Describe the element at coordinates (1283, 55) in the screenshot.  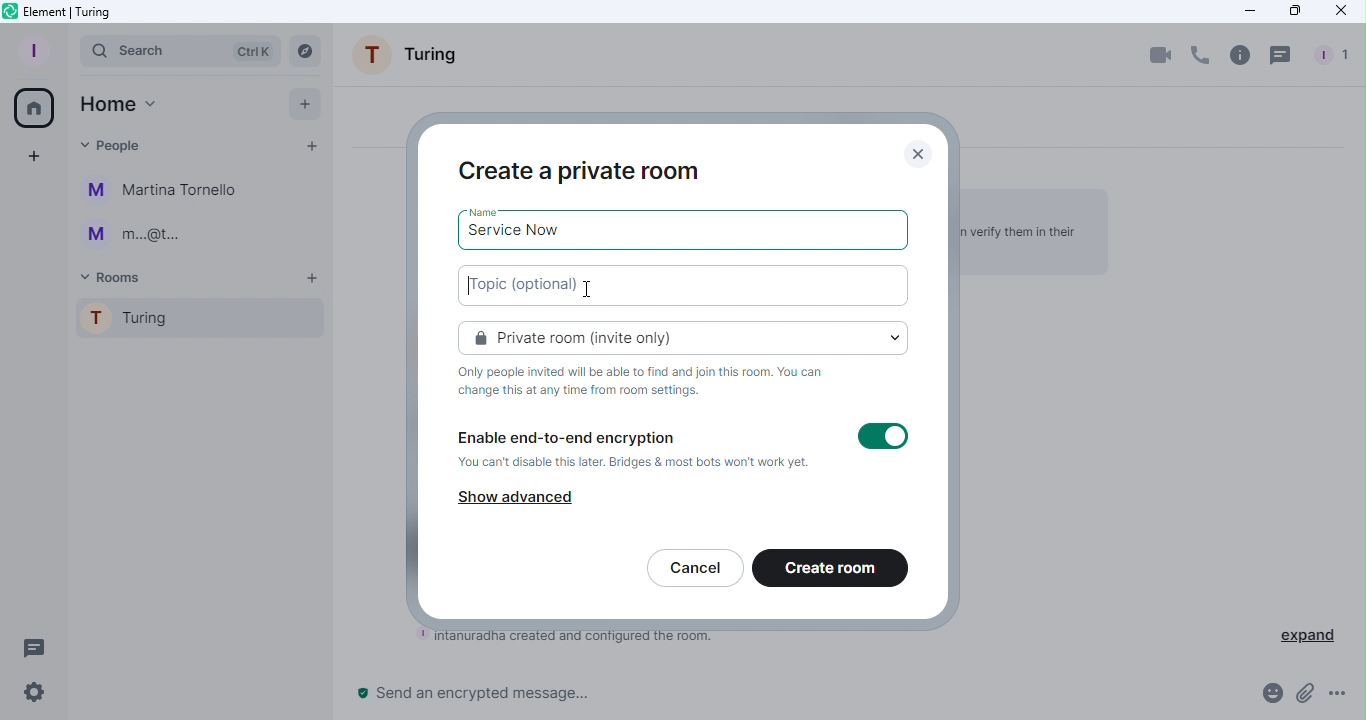
I see `Threads` at that location.